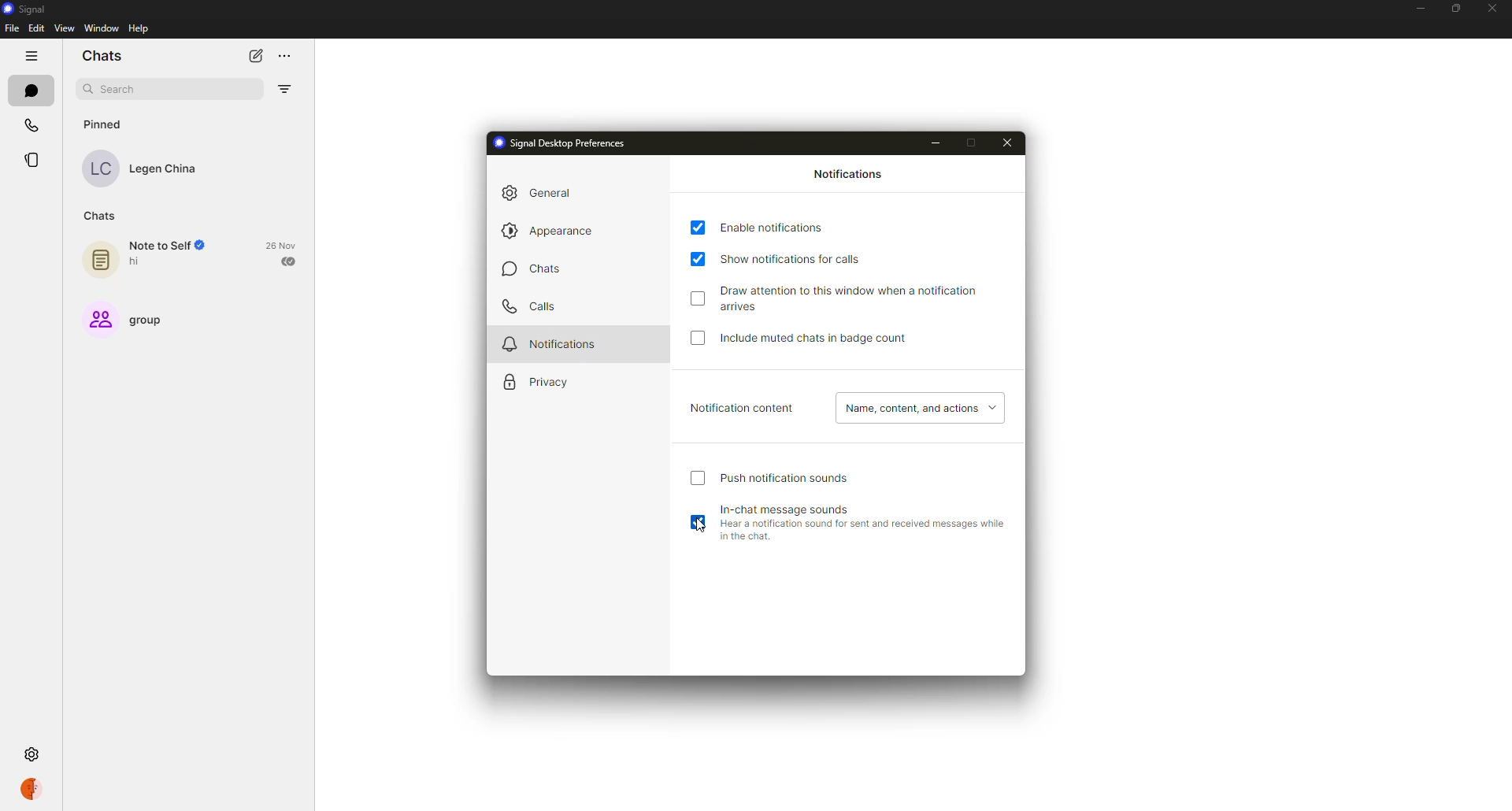 This screenshot has width=1512, height=811. What do you see at coordinates (556, 343) in the screenshot?
I see `notifications` at bounding box center [556, 343].